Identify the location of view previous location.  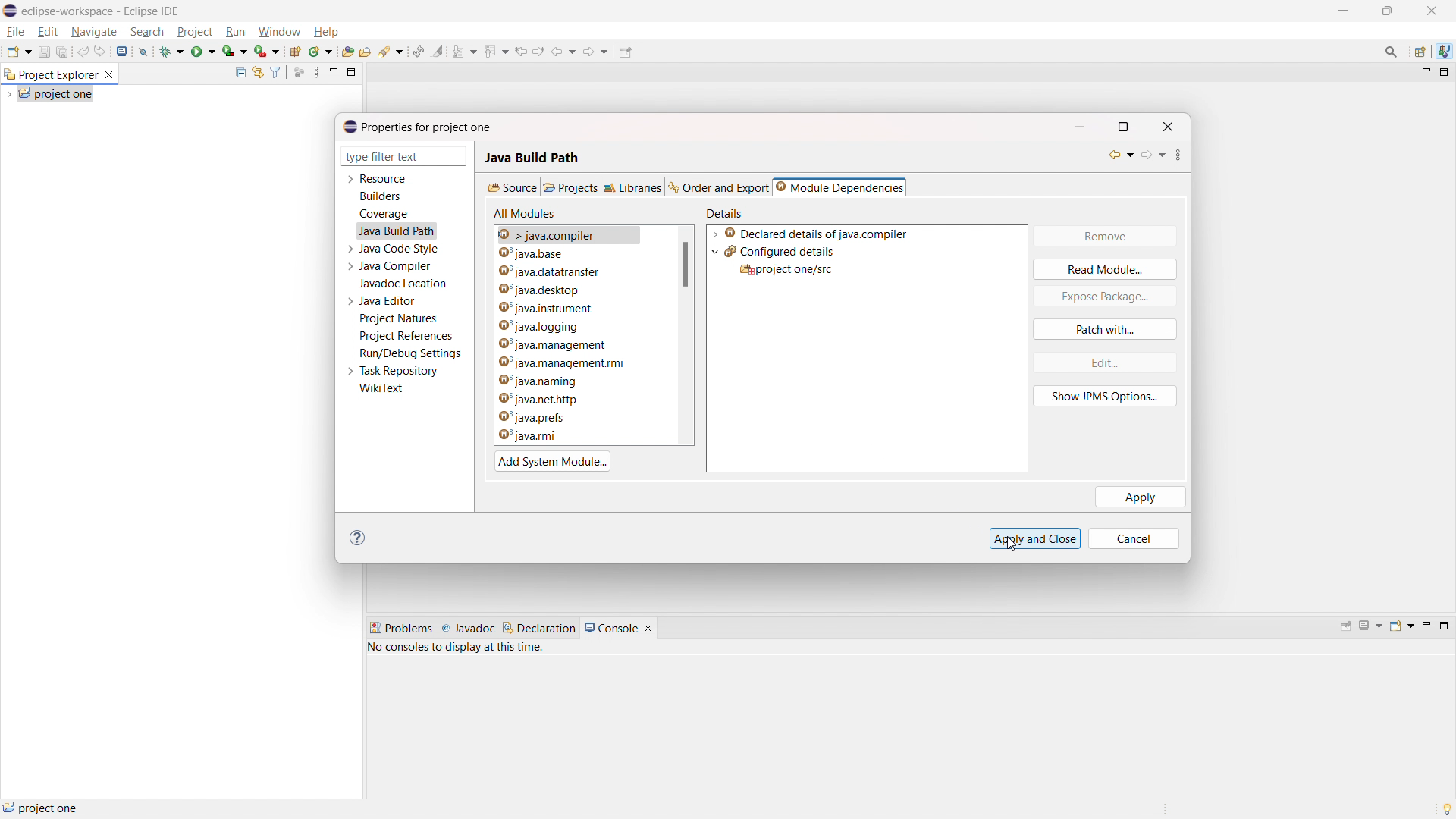
(521, 50).